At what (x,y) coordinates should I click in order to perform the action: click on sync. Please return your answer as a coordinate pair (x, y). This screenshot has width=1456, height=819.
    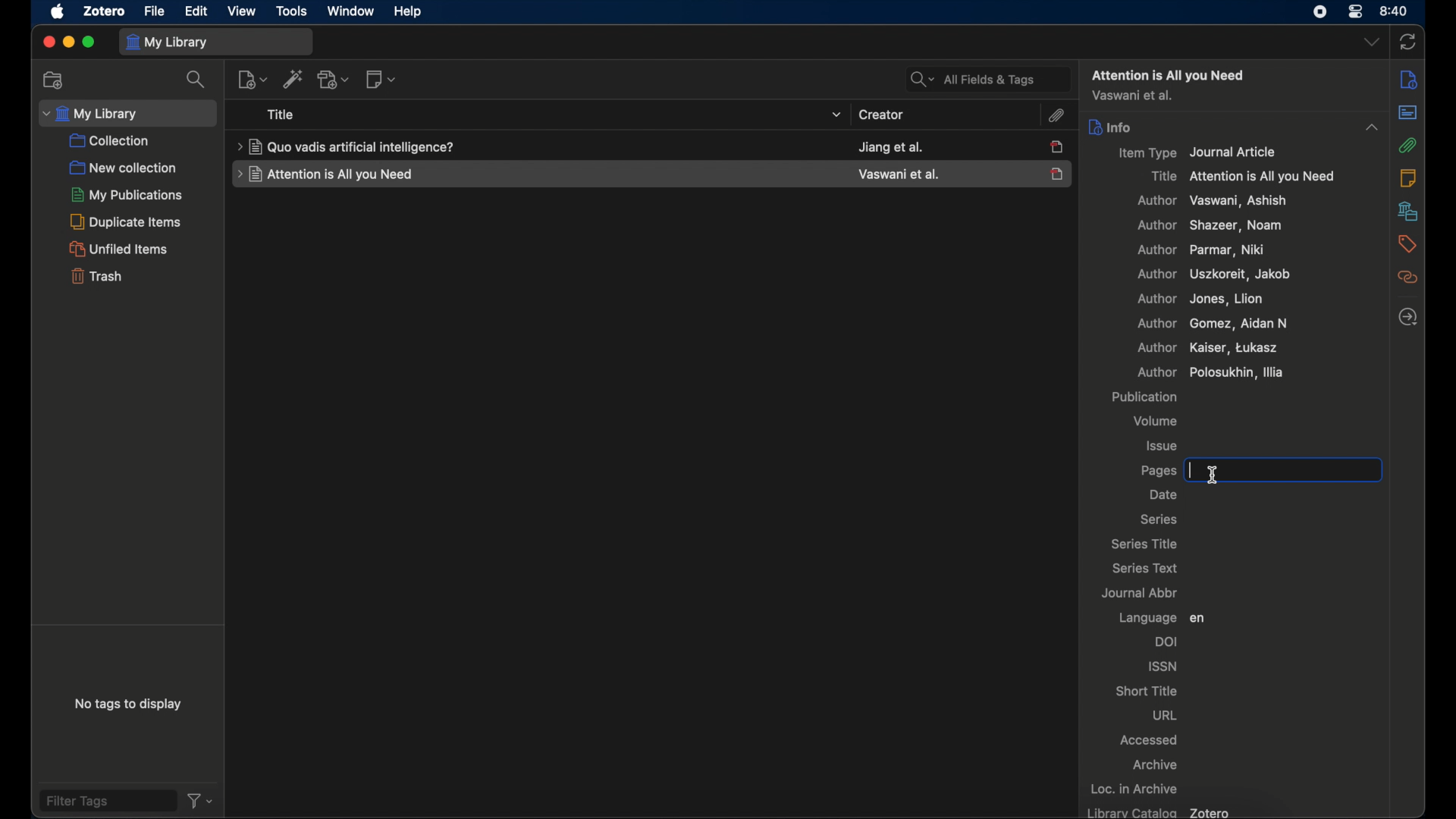
    Looking at the image, I should click on (1410, 41).